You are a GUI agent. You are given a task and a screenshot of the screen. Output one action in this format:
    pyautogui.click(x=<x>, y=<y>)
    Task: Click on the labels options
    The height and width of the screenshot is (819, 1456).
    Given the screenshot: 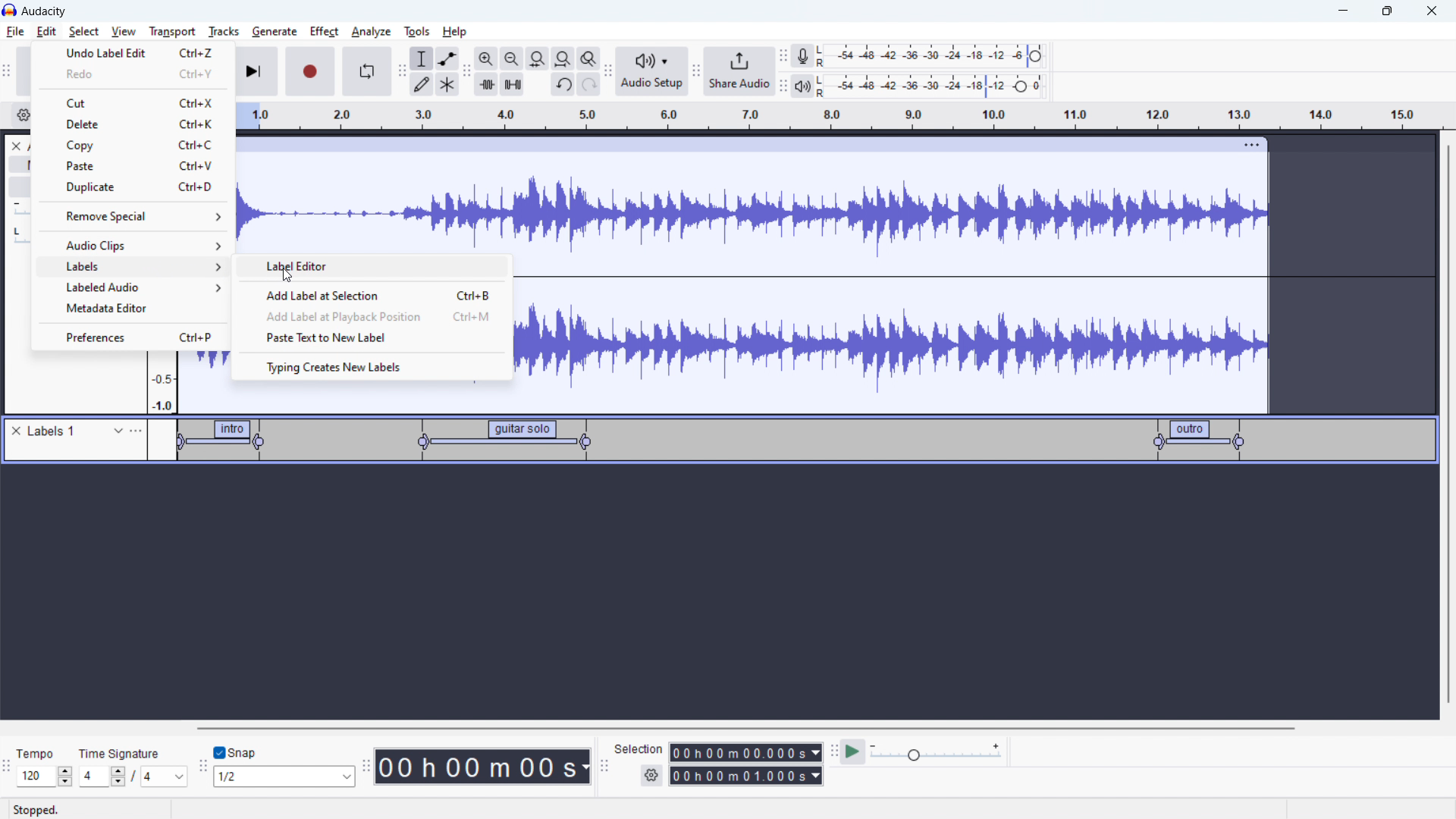 What is the action you would take?
    pyautogui.click(x=136, y=431)
    